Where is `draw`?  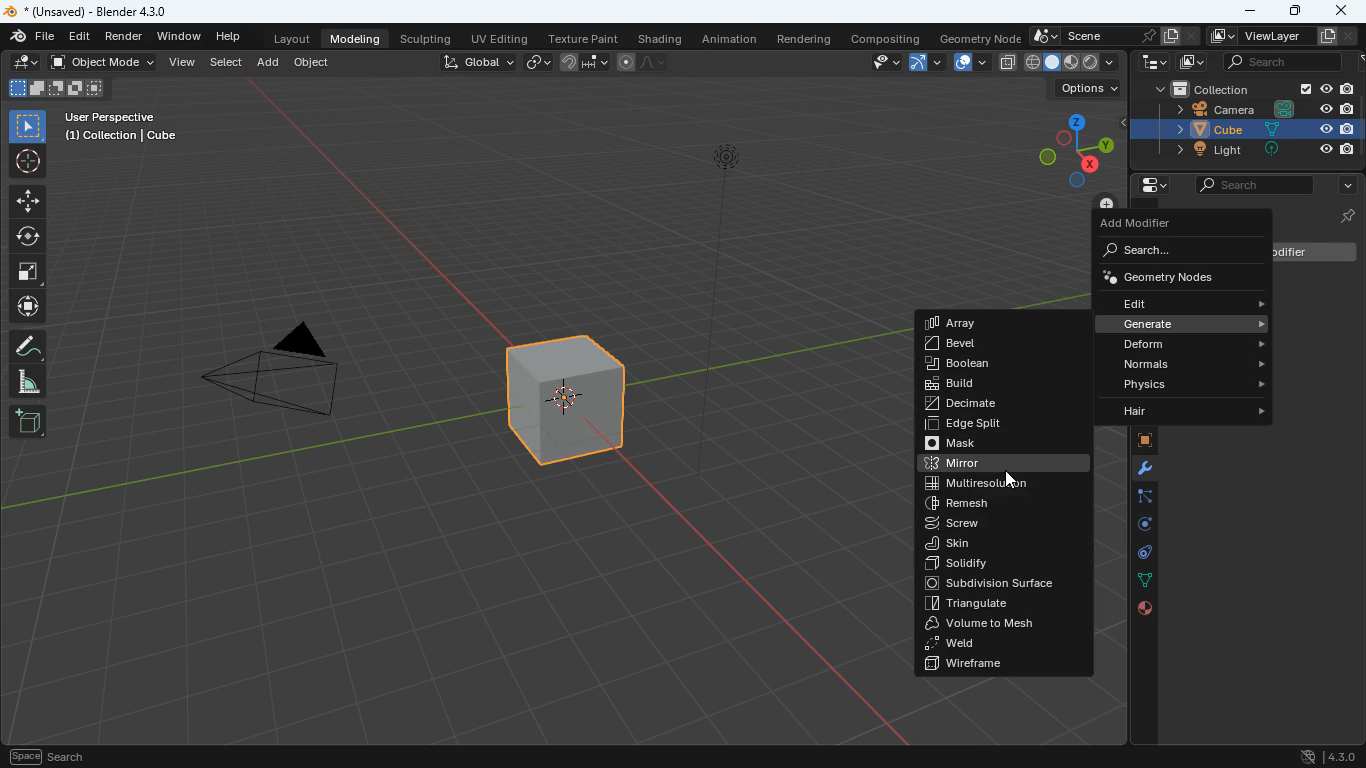
draw is located at coordinates (30, 345).